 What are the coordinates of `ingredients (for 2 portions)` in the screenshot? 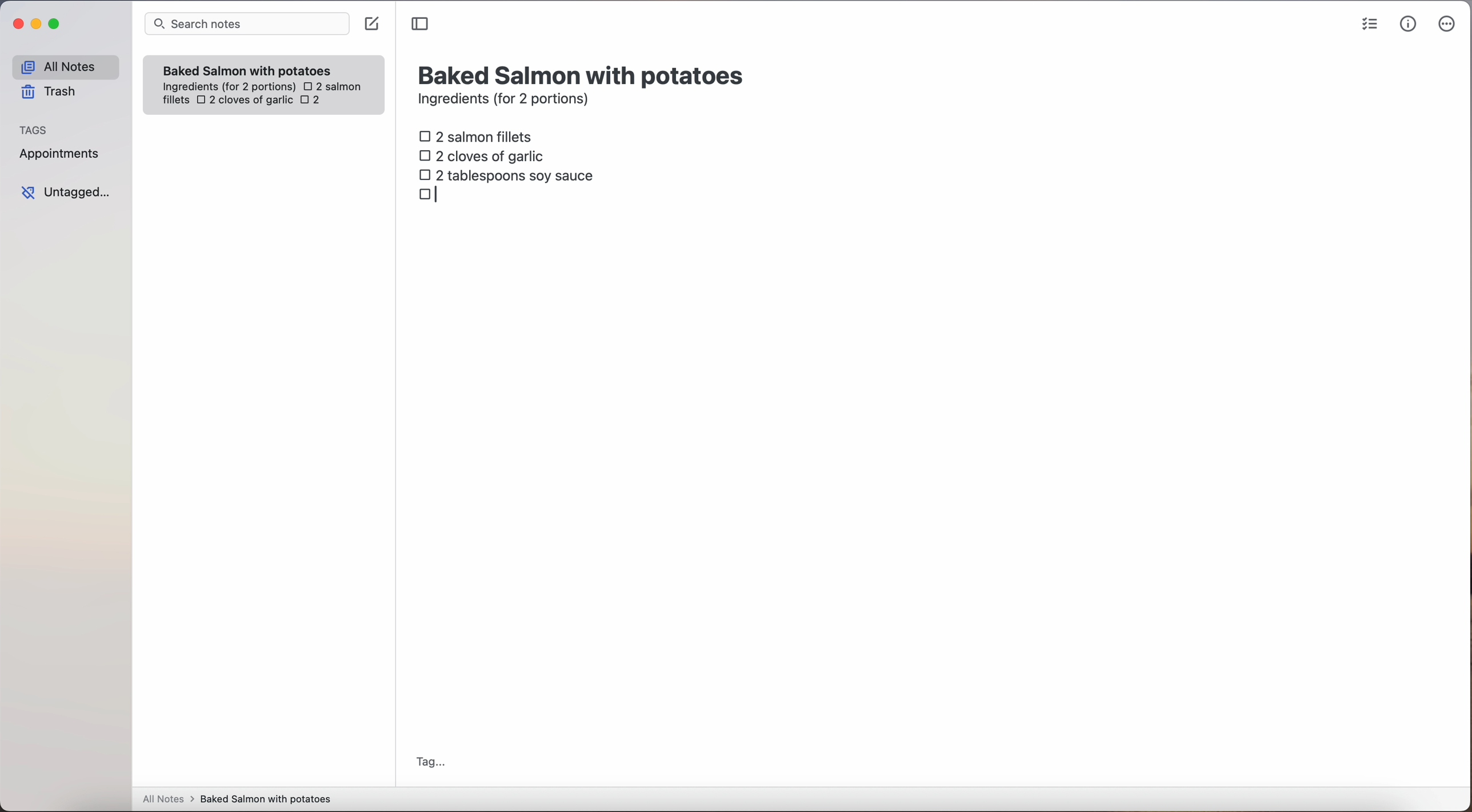 It's located at (507, 101).